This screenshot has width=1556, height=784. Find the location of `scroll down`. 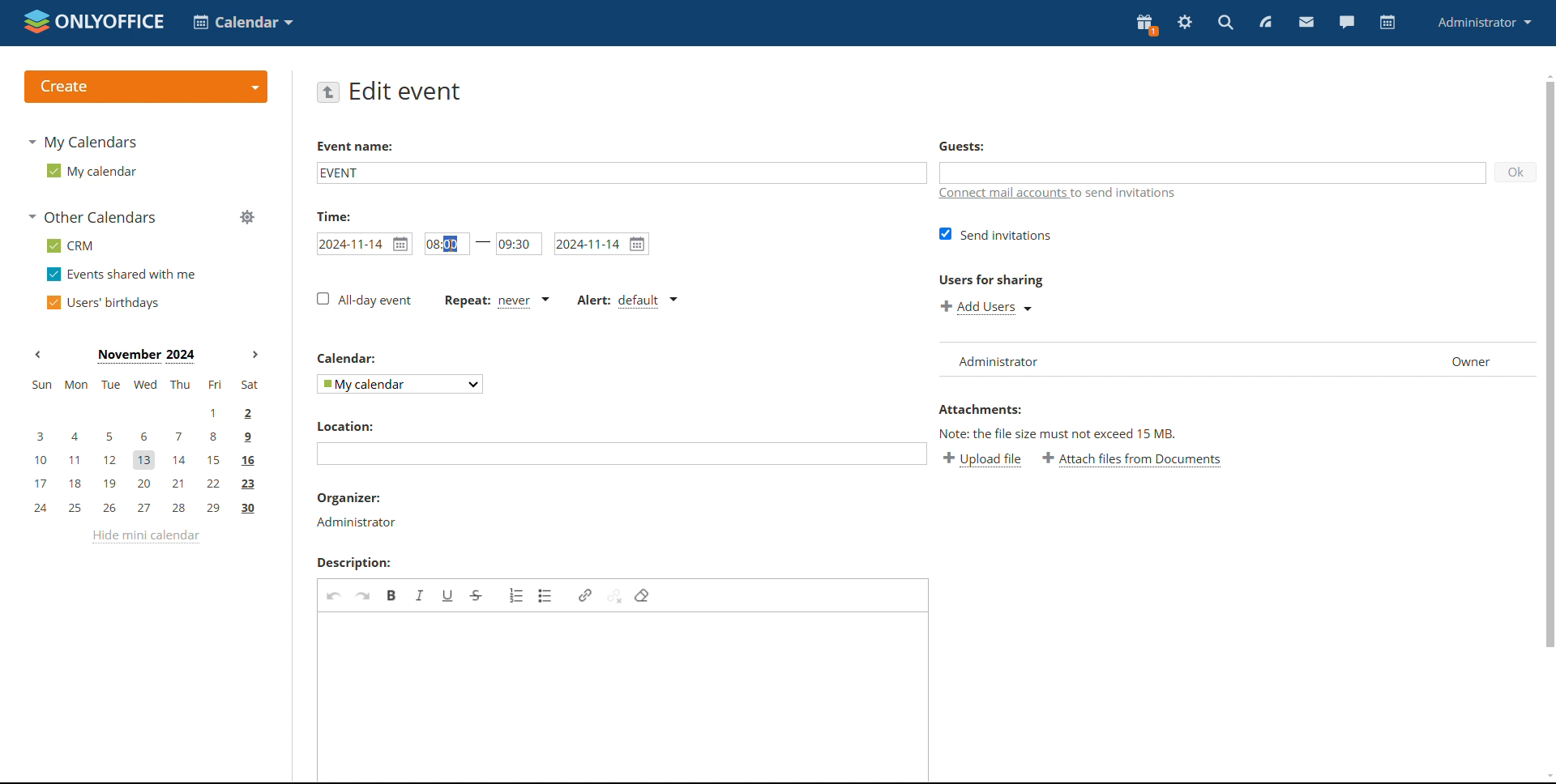

scroll down is located at coordinates (1546, 776).